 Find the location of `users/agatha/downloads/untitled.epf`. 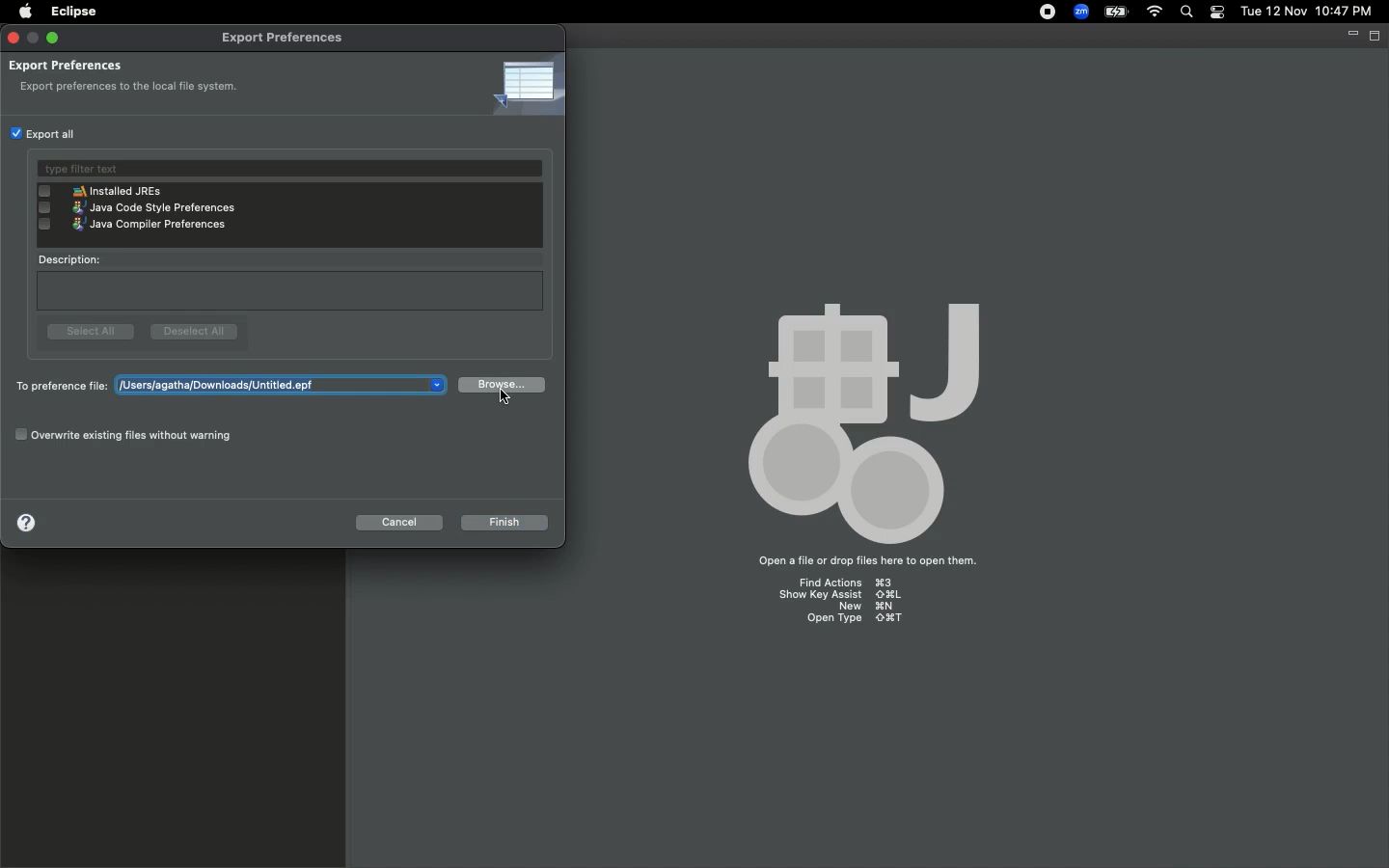

users/agatha/downloads/untitled.epf is located at coordinates (283, 385).